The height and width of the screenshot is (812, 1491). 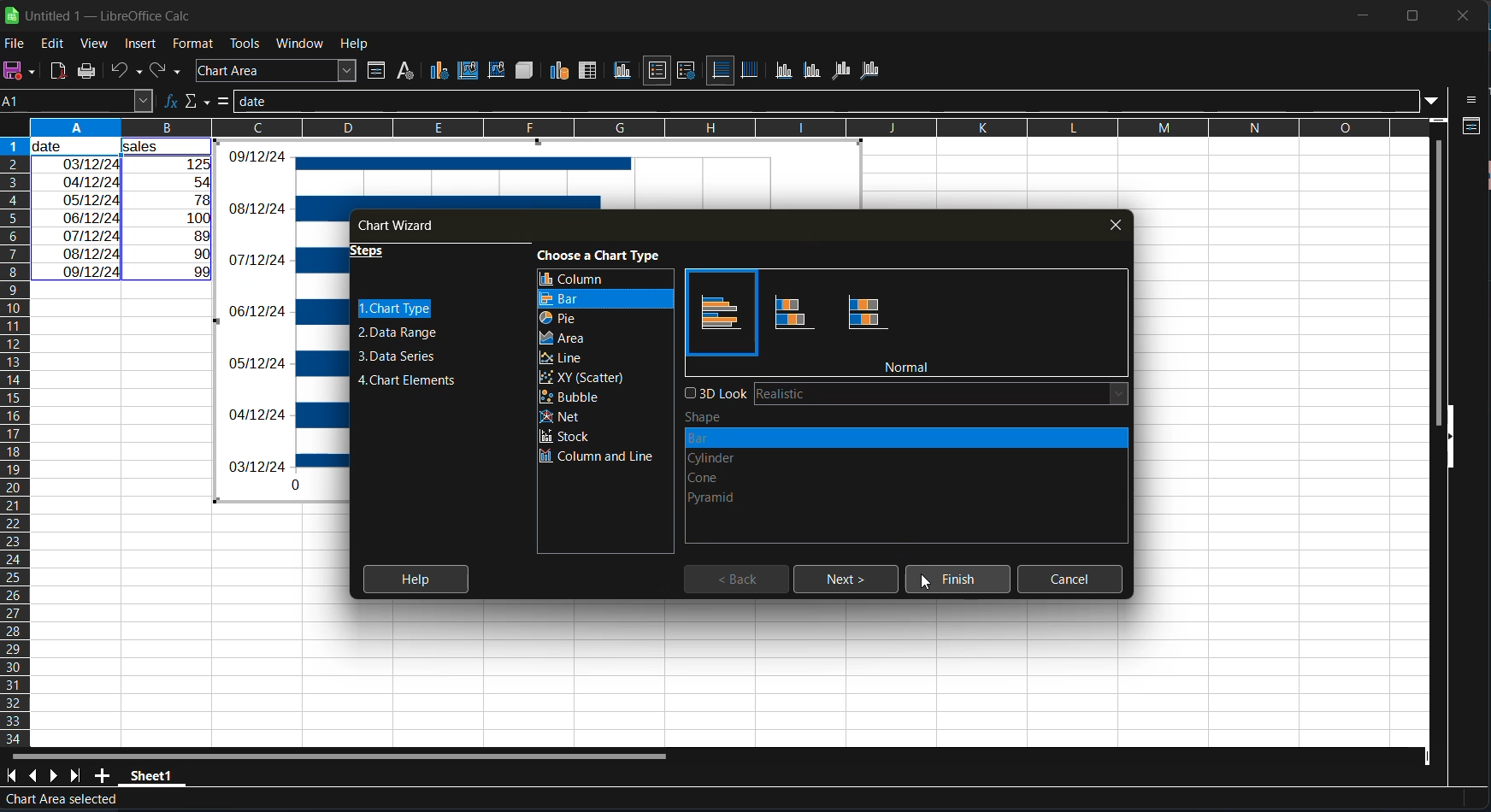 I want to click on export directly as PDF, so click(x=59, y=70).